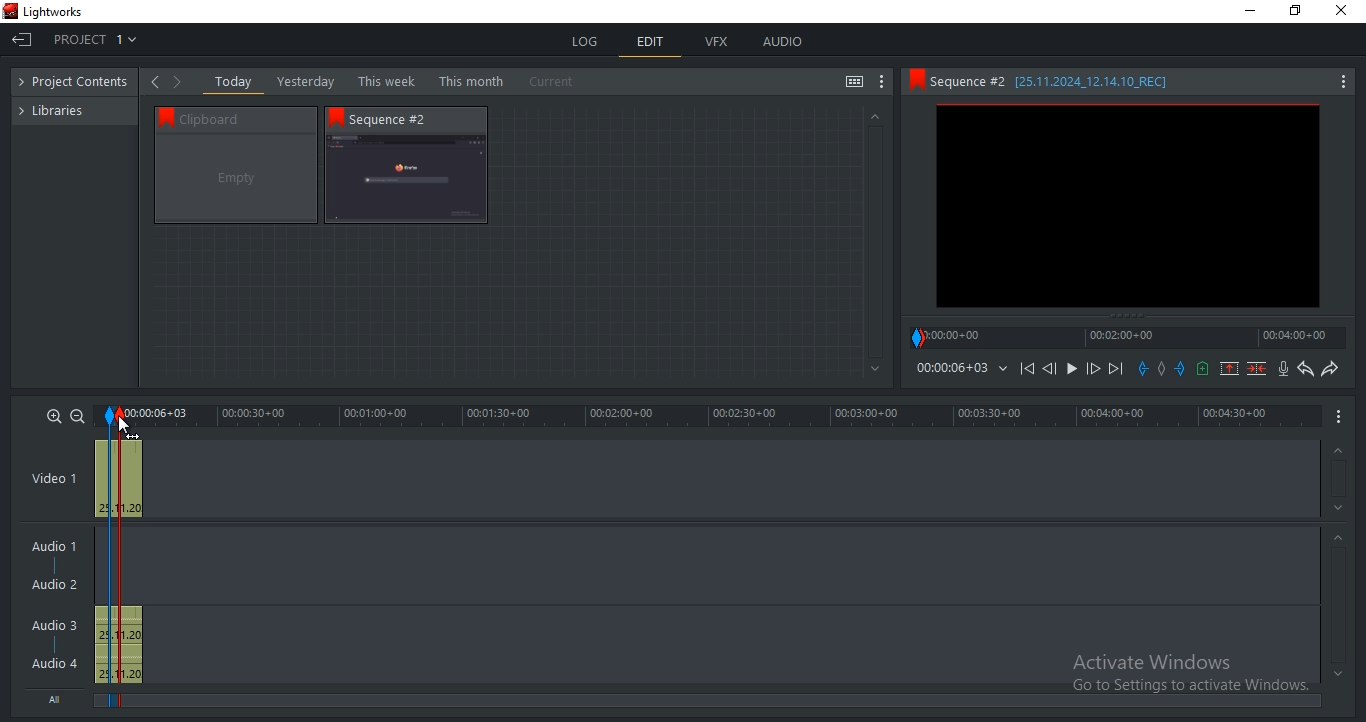  I want to click on Greyed out up arrow, so click(1336, 452).